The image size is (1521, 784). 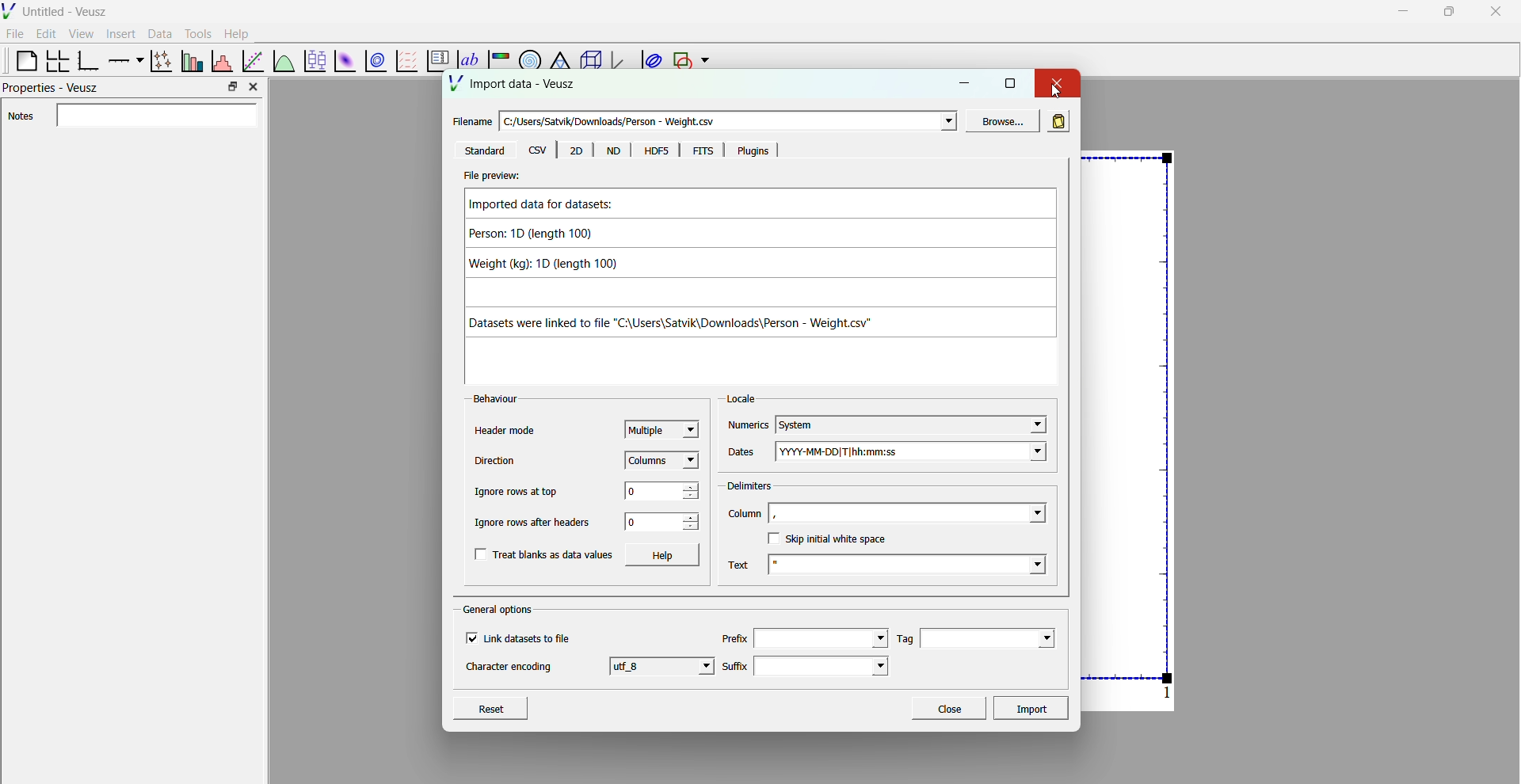 What do you see at coordinates (48, 34) in the screenshot?
I see `edit` at bounding box center [48, 34].